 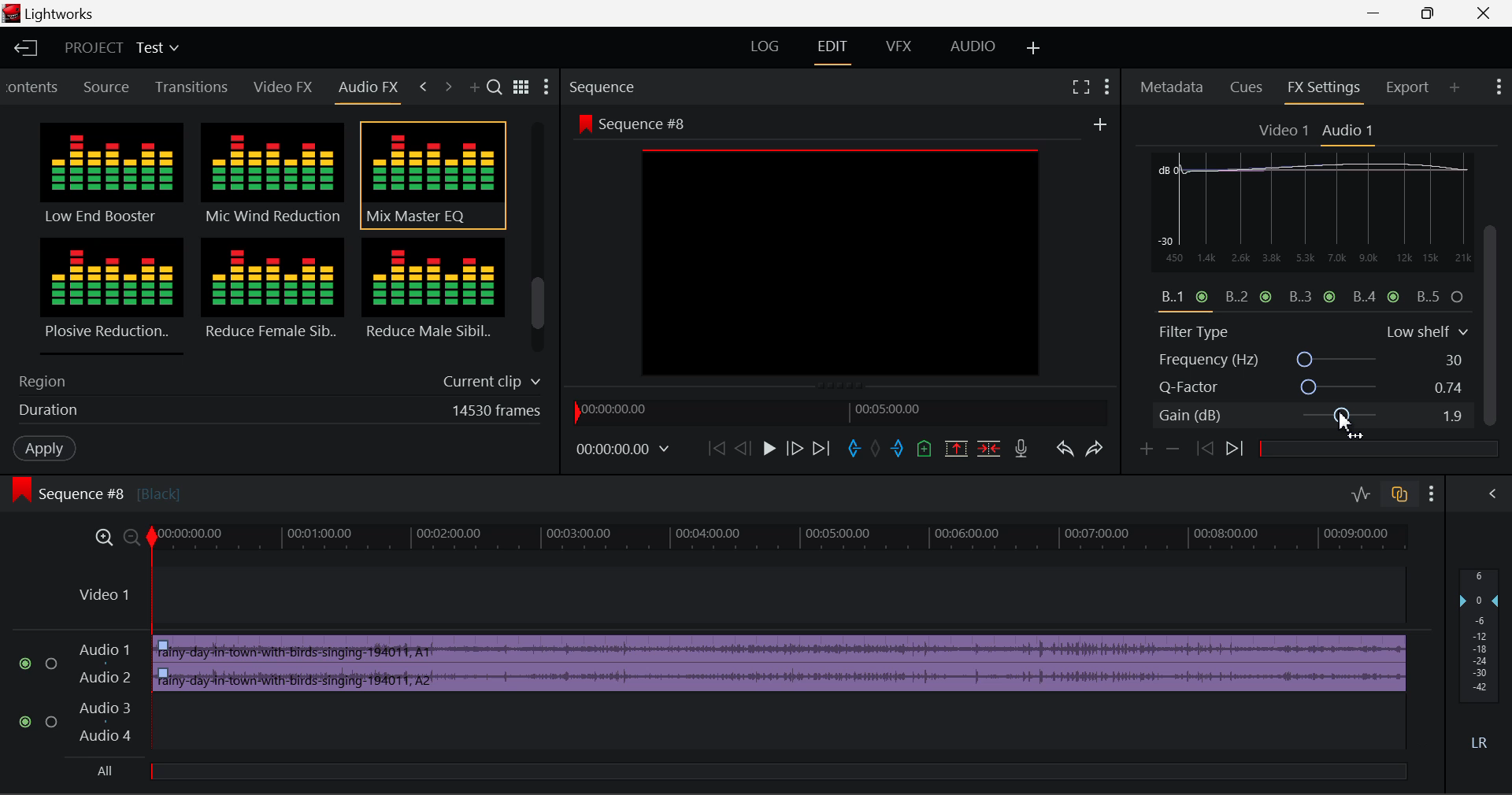 What do you see at coordinates (769, 449) in the screenshot?
I see `Play` at bounding box center [769, 449].